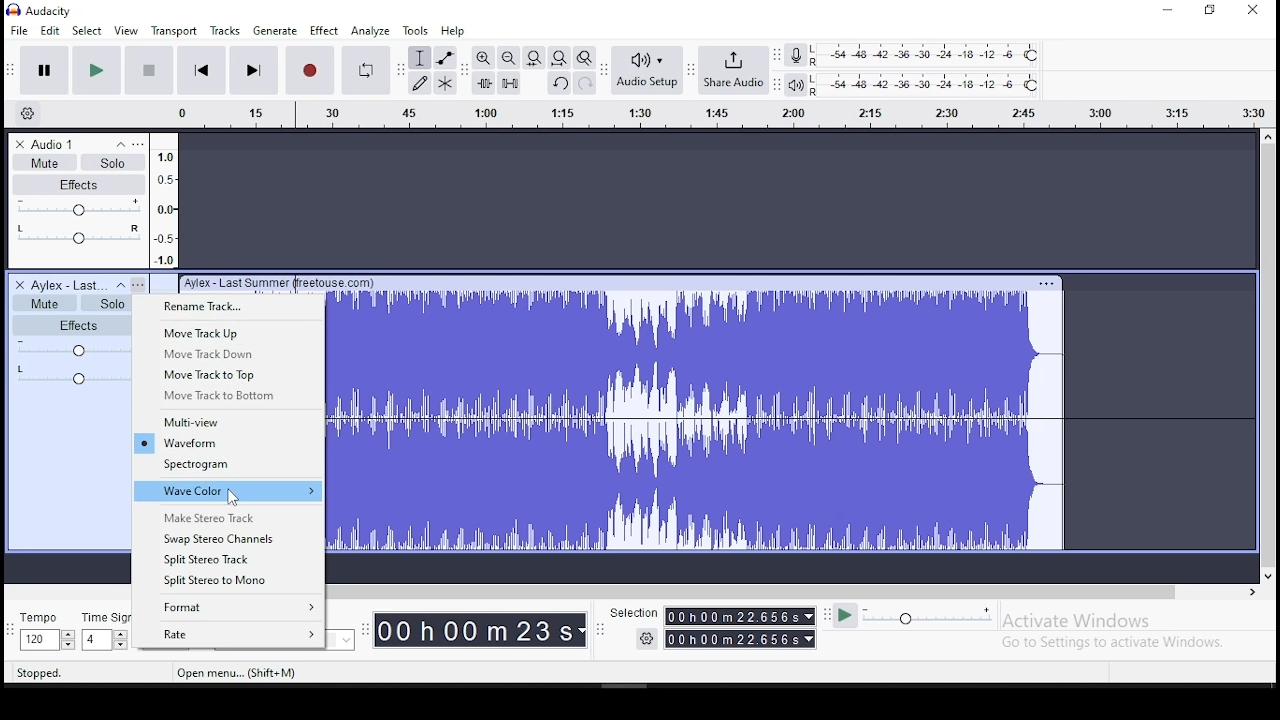  I want to click on zoom toggle, so click(584, 57).